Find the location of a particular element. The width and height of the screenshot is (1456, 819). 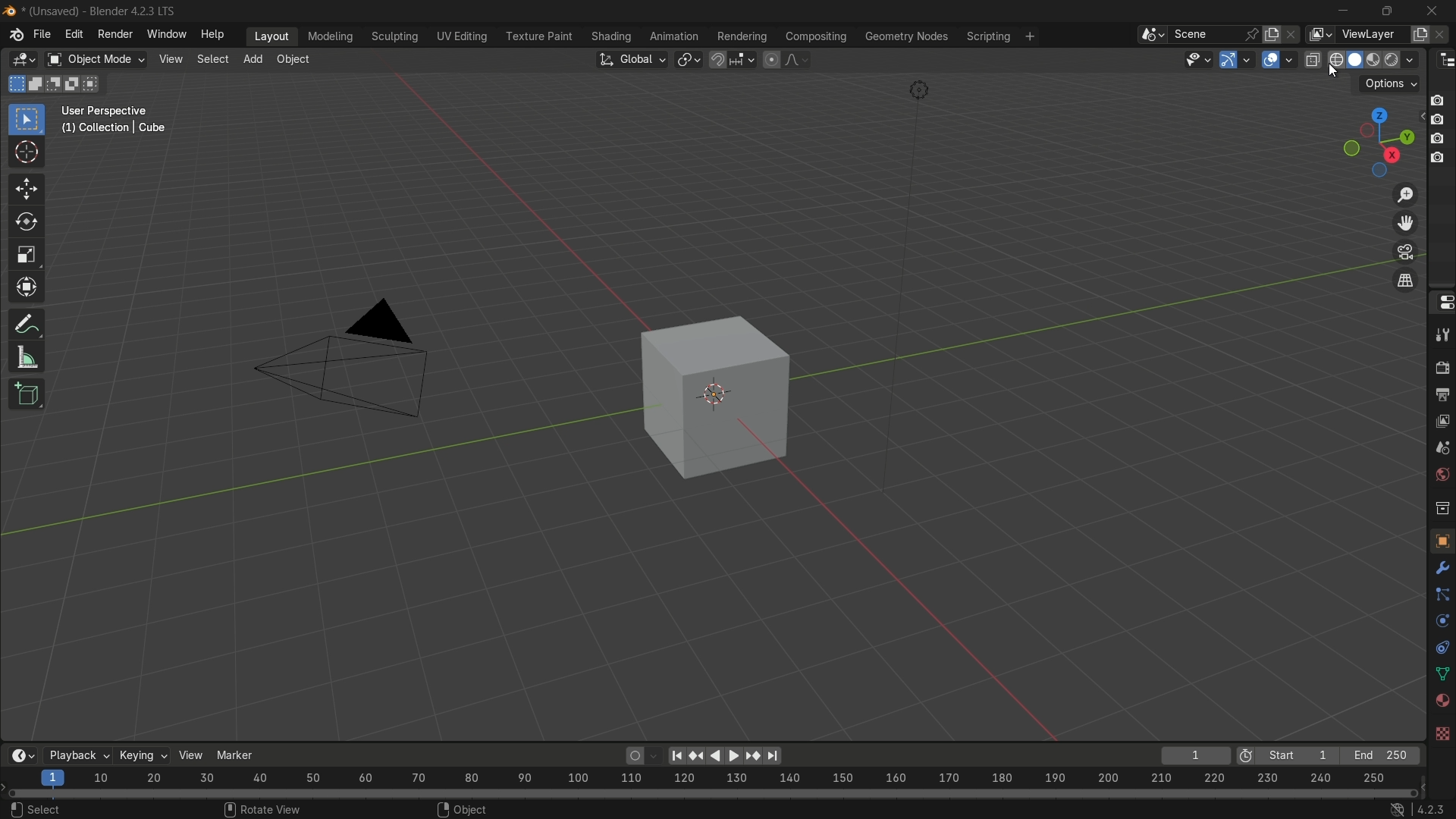

add cube is located at coordinates (27, 397).